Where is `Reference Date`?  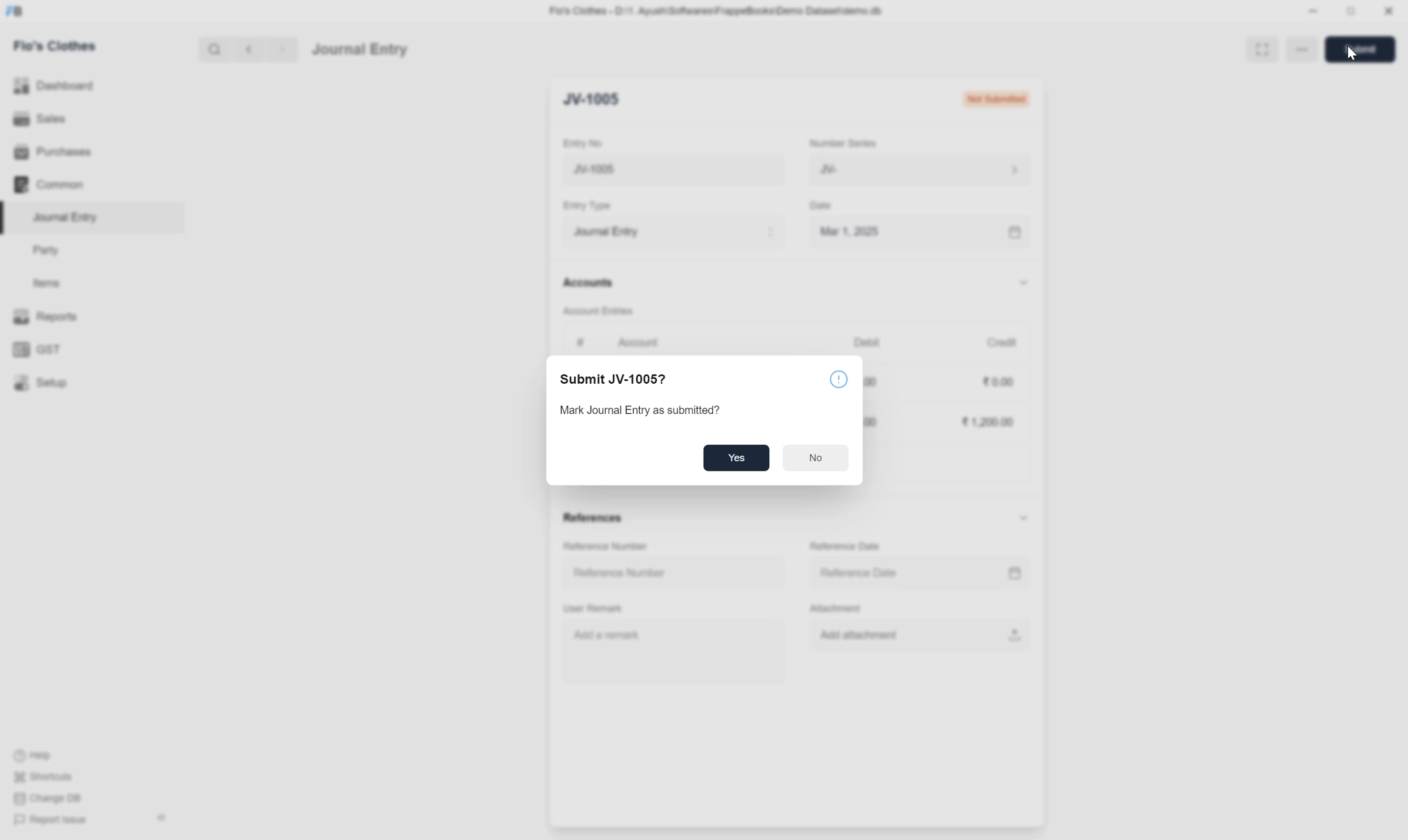 Reference Date is located at coordinates (848, 547).